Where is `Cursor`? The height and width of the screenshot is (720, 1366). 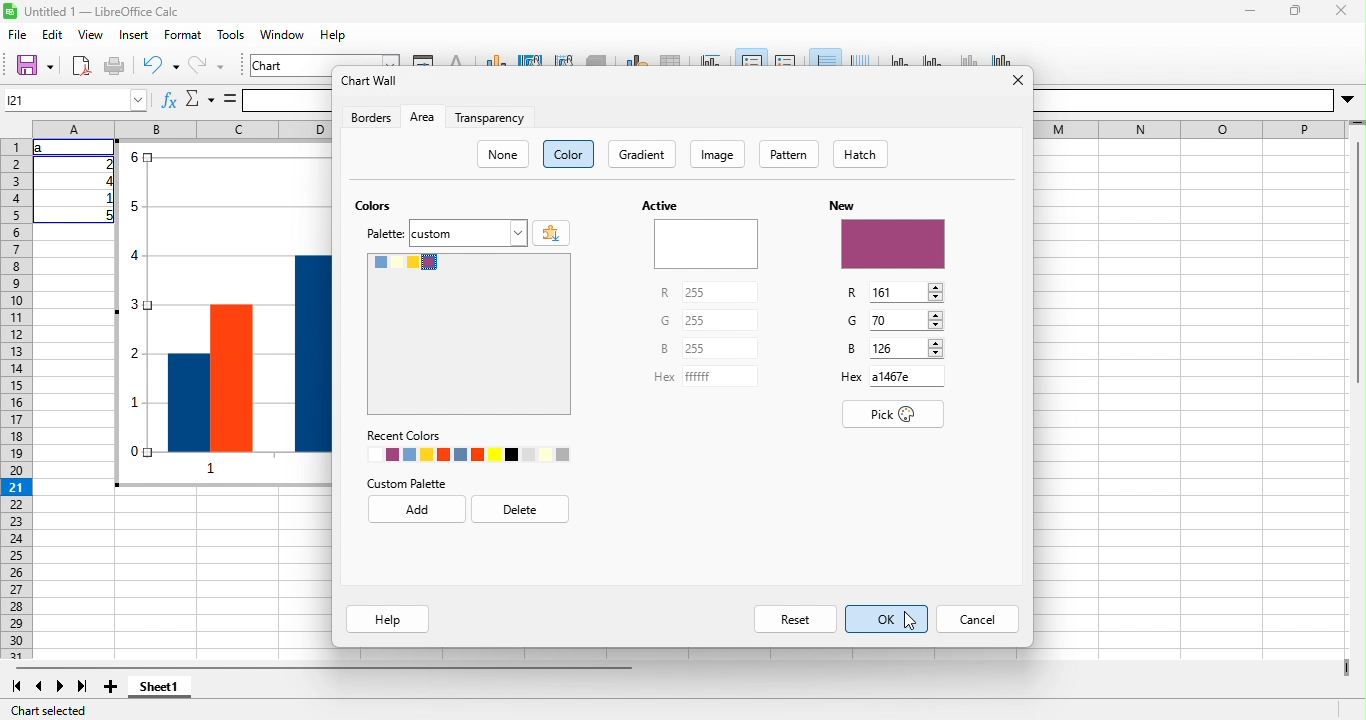
Cursor is located at coordinates (910, 620).